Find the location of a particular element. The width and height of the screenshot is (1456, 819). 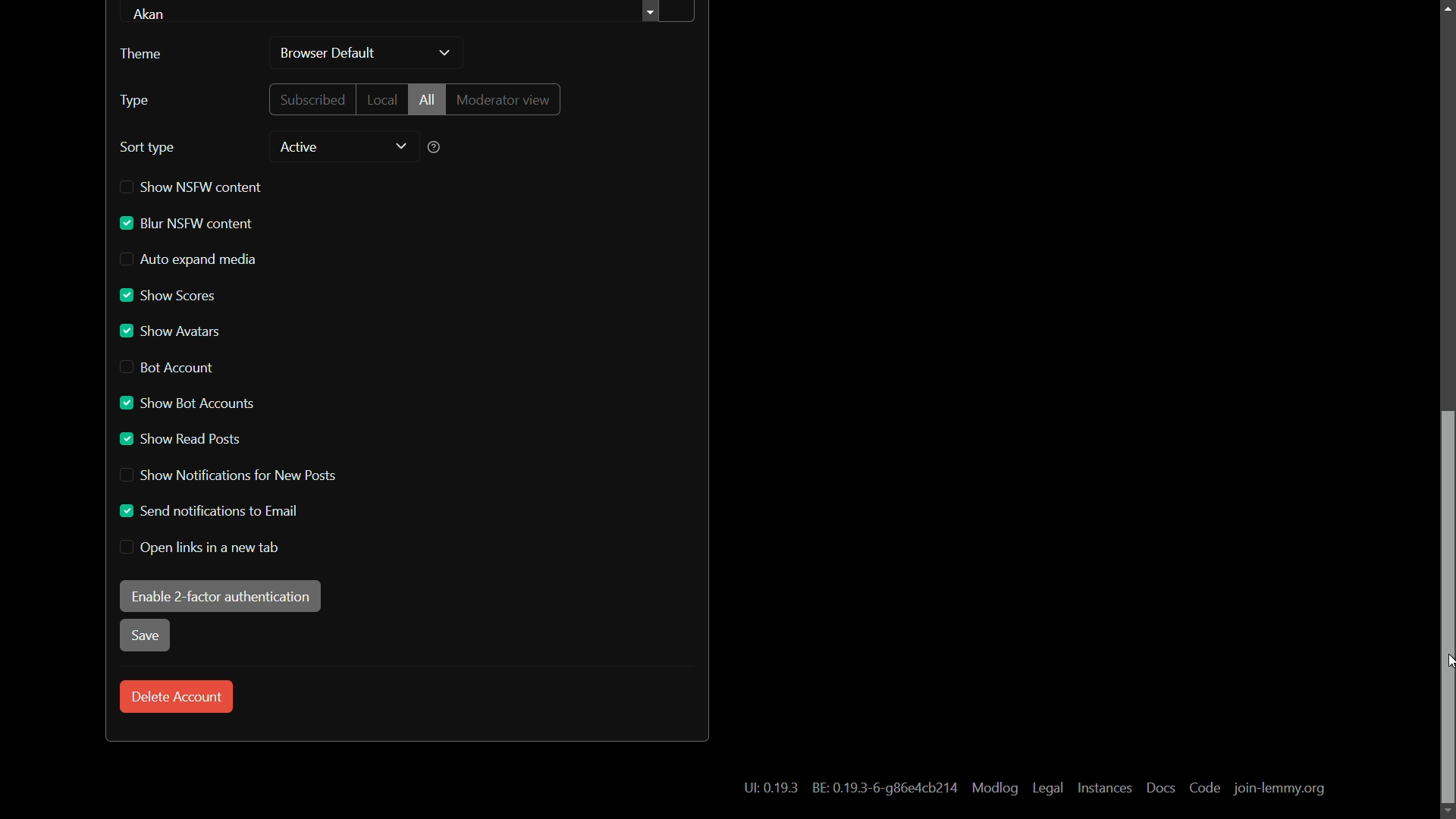

help is located at coordinates (435, 147).